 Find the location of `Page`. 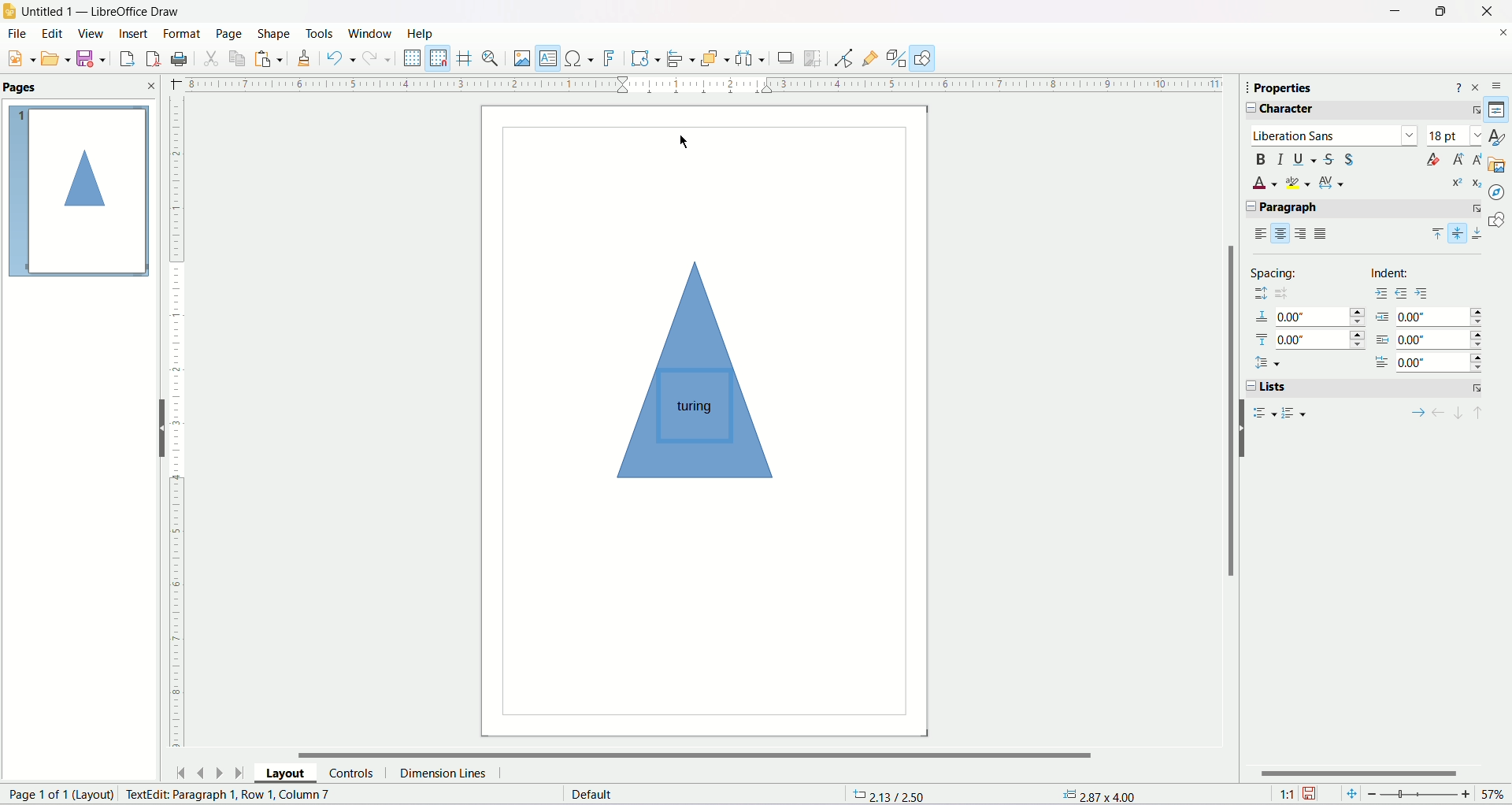

Page is located at coordinates (230, 33).